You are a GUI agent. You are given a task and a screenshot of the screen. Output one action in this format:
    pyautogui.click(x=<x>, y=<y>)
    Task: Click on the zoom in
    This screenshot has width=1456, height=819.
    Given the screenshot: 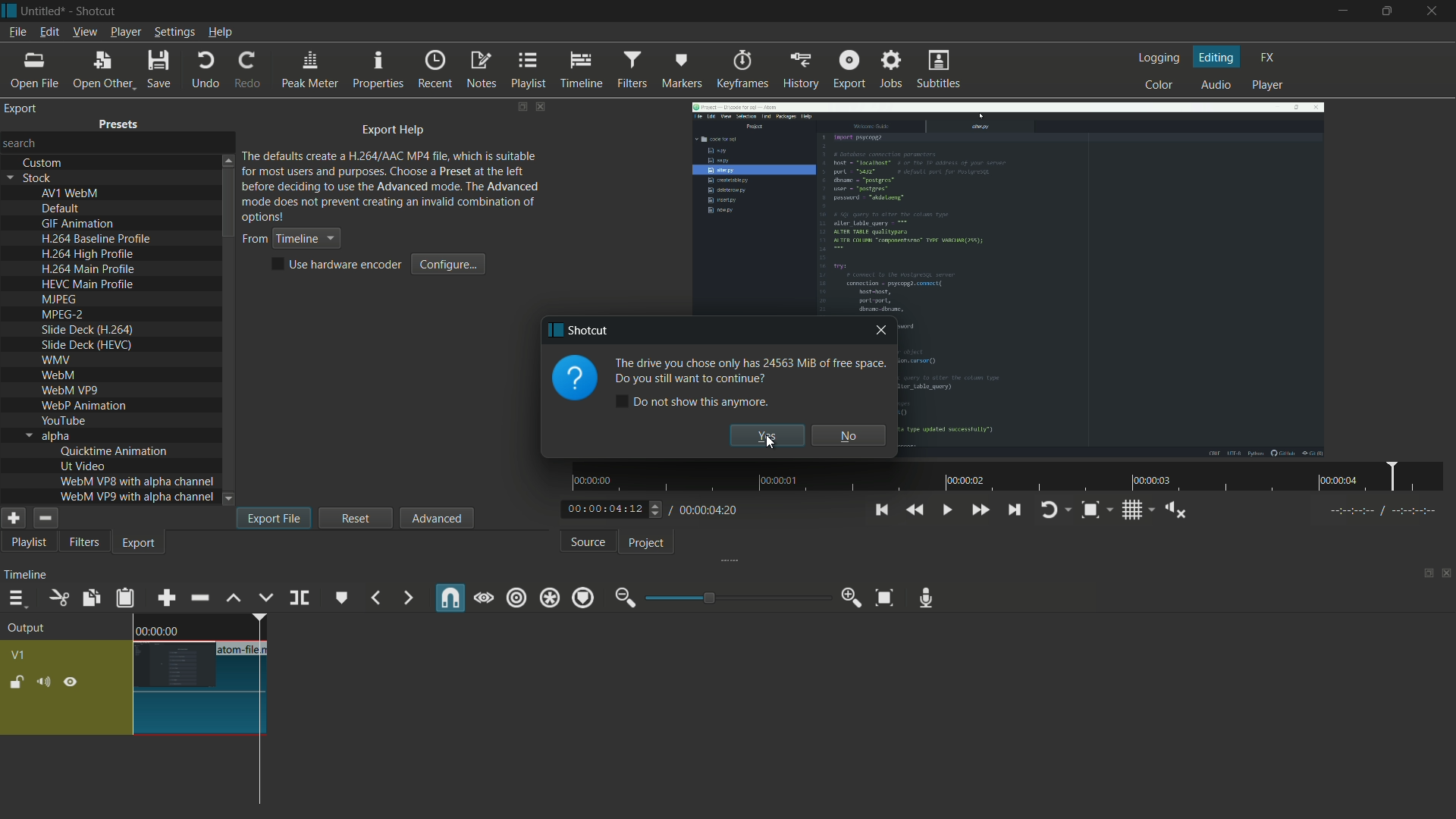 What is the action you would take?
    pyautogui.click(x=852, y=598)
    